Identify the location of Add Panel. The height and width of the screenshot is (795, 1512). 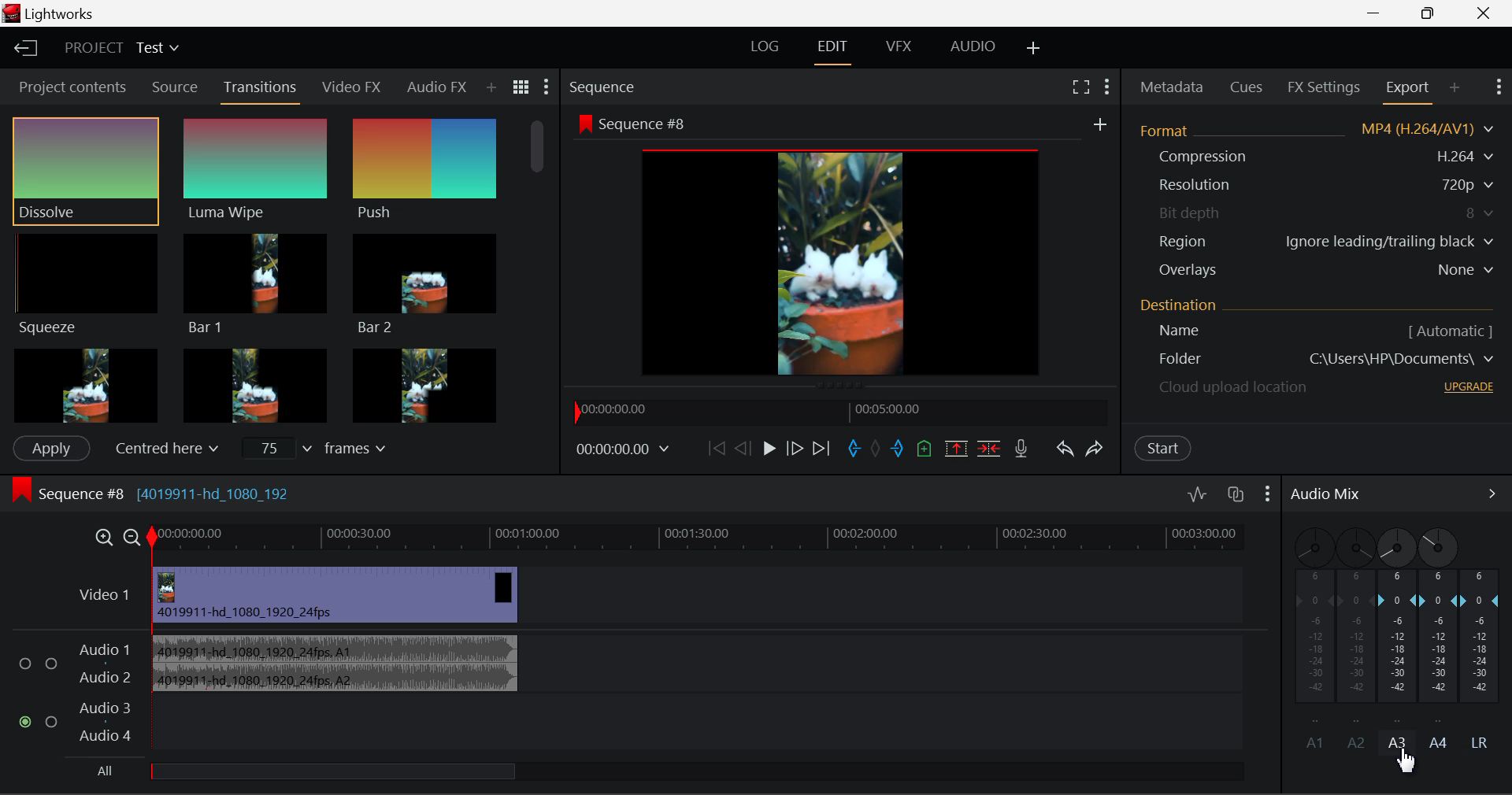
(1452, 87).